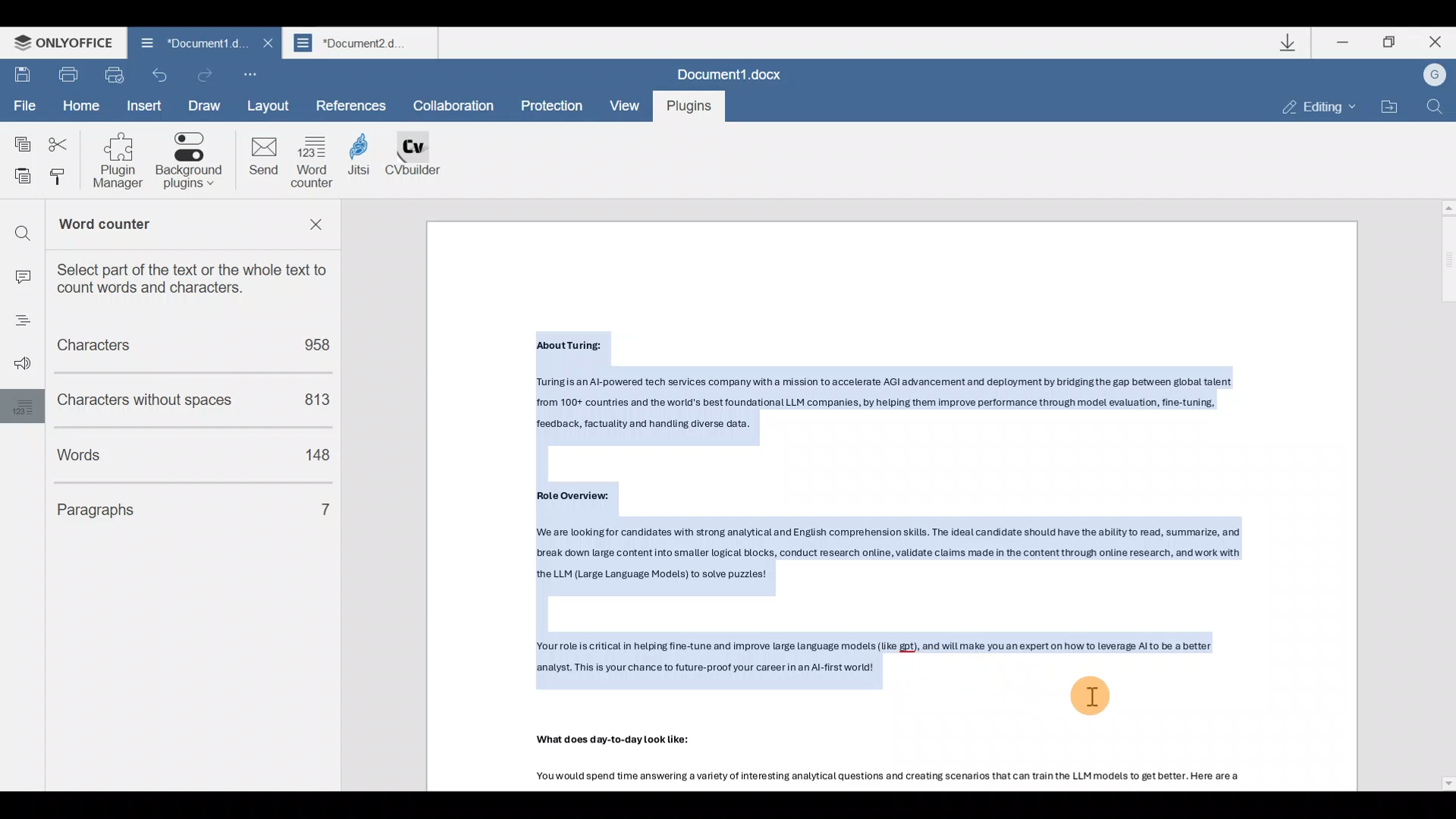 This screenshot has height=819, width=1456. I want to click on Word counter, so click(314, 162).